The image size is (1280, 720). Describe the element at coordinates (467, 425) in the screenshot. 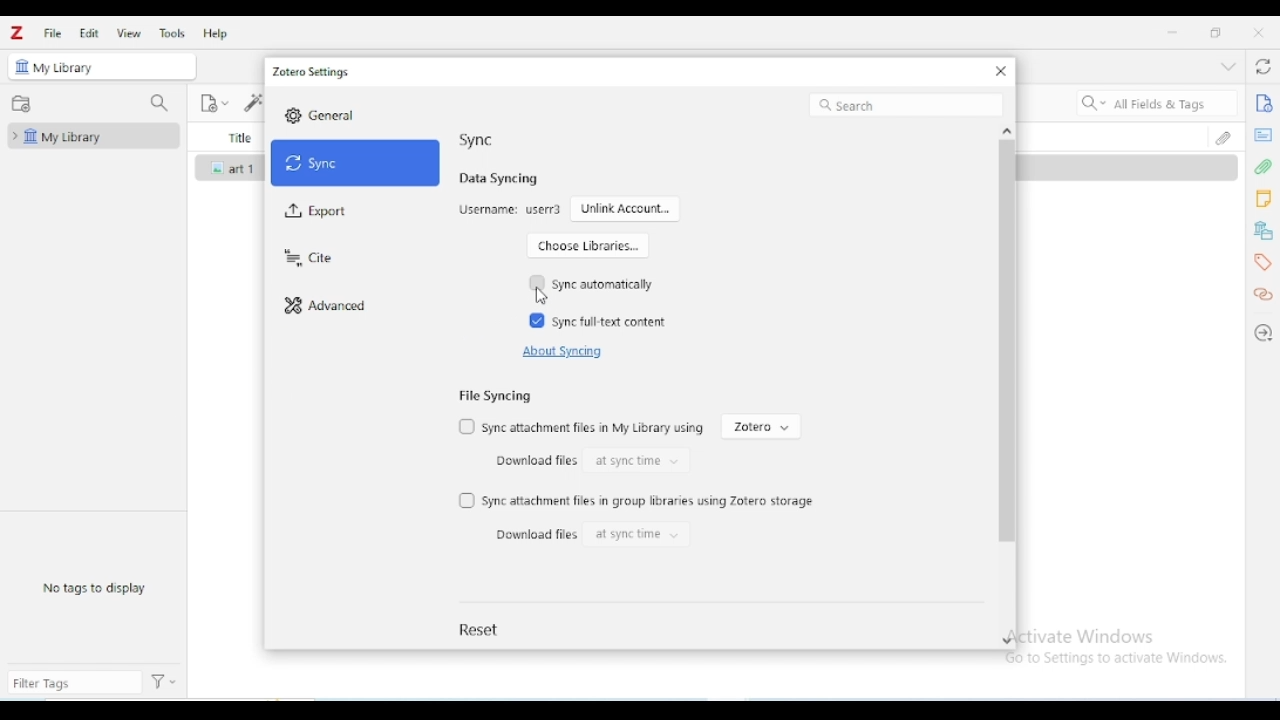

I see `Checkbox ` at that location.